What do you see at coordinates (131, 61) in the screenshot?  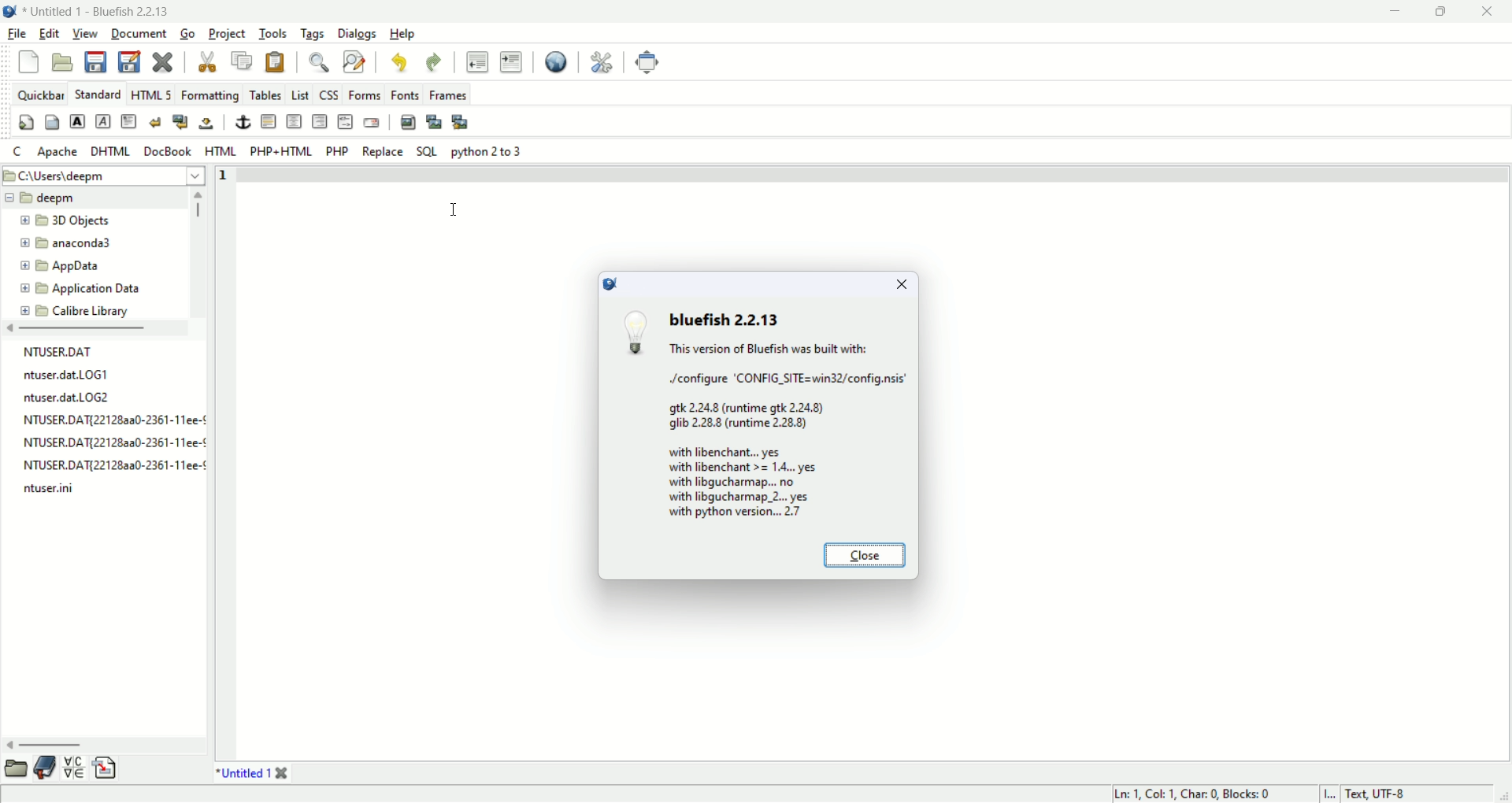 I see `save as` at bounding box center [131, 61].